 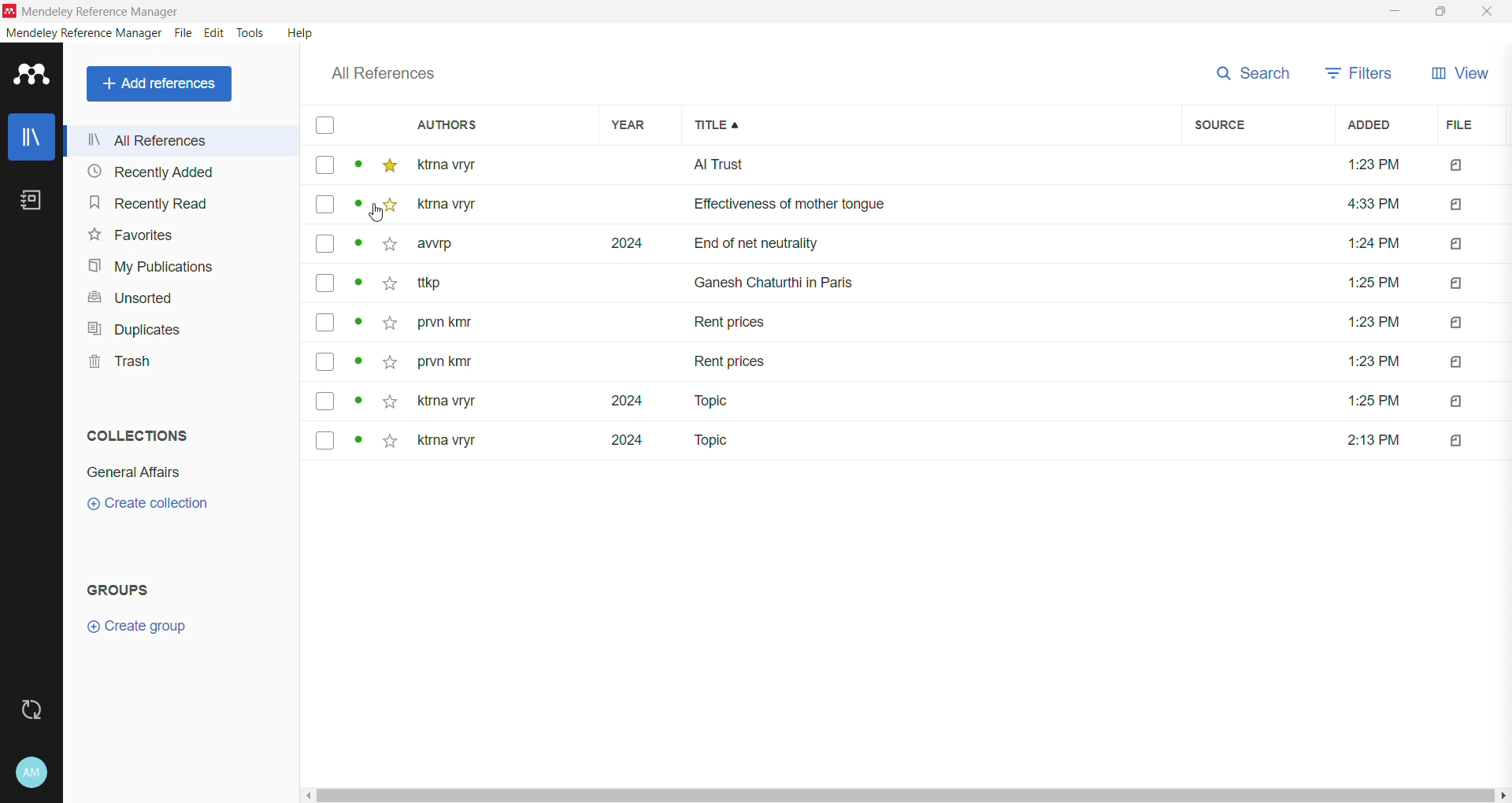 I want to click on dot , so click(x=354, y=209).